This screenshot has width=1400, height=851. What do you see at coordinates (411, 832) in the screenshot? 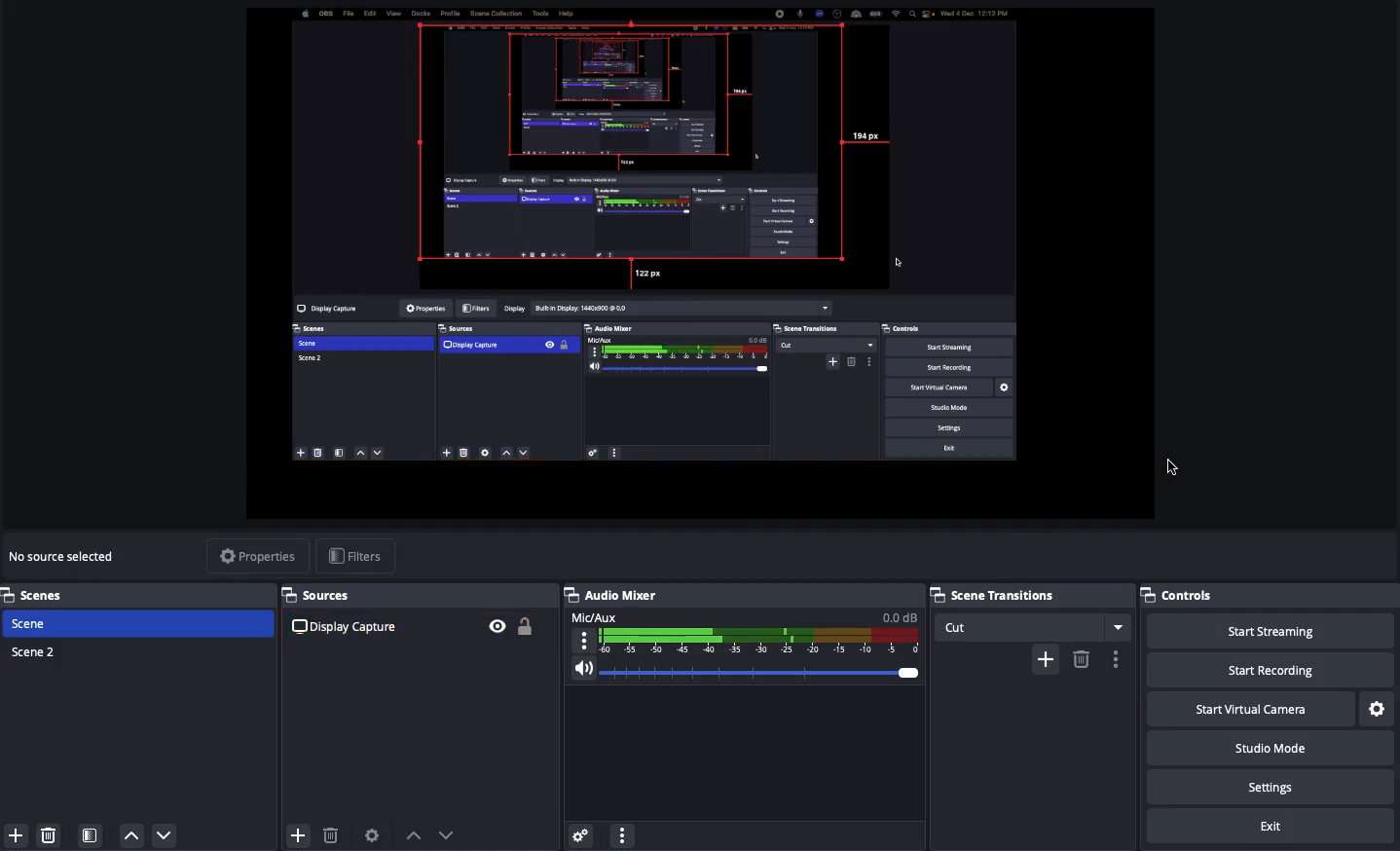
I see `Up` at bounding box center [411, 832].